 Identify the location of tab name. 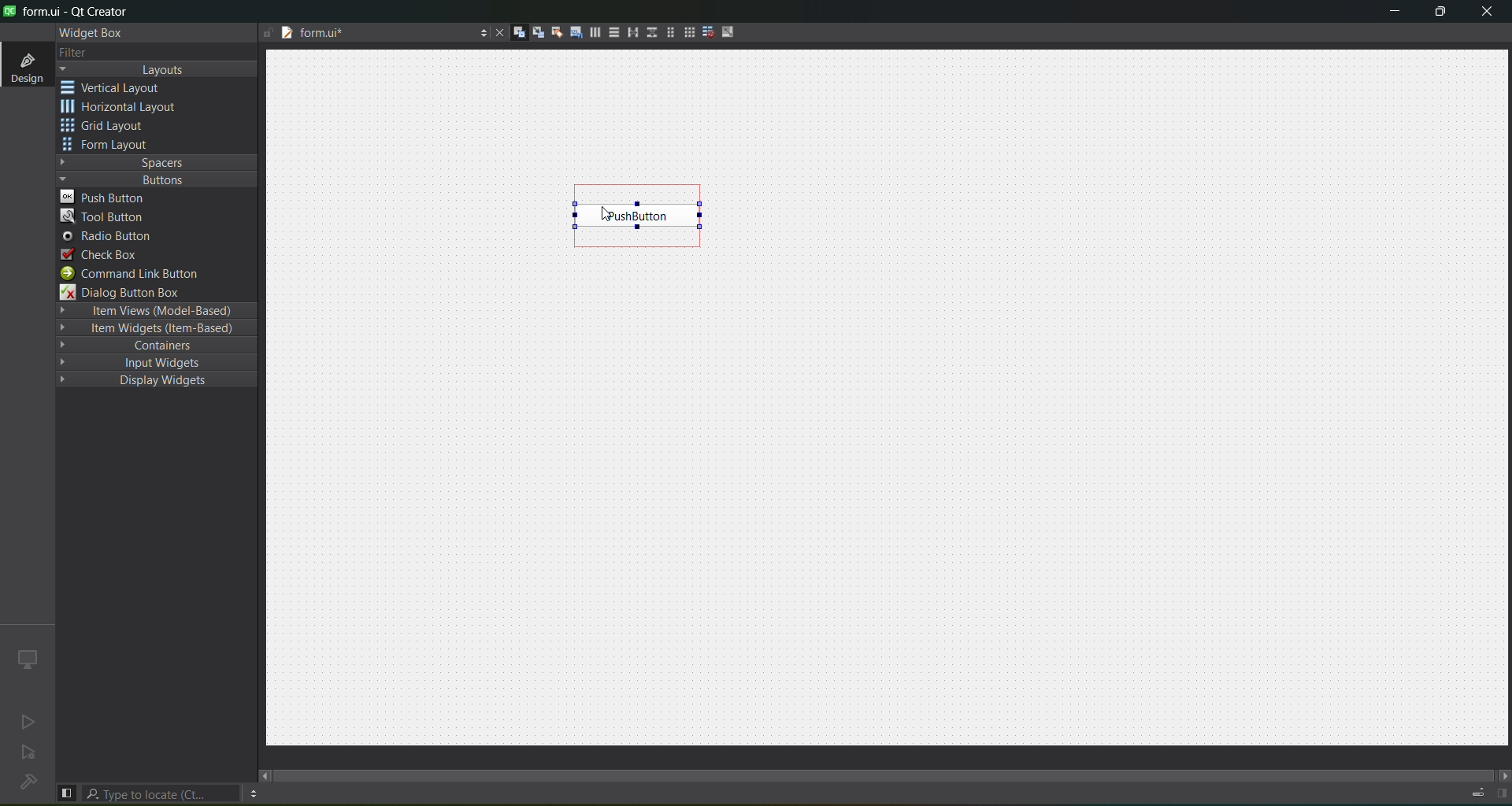
(360, 35).